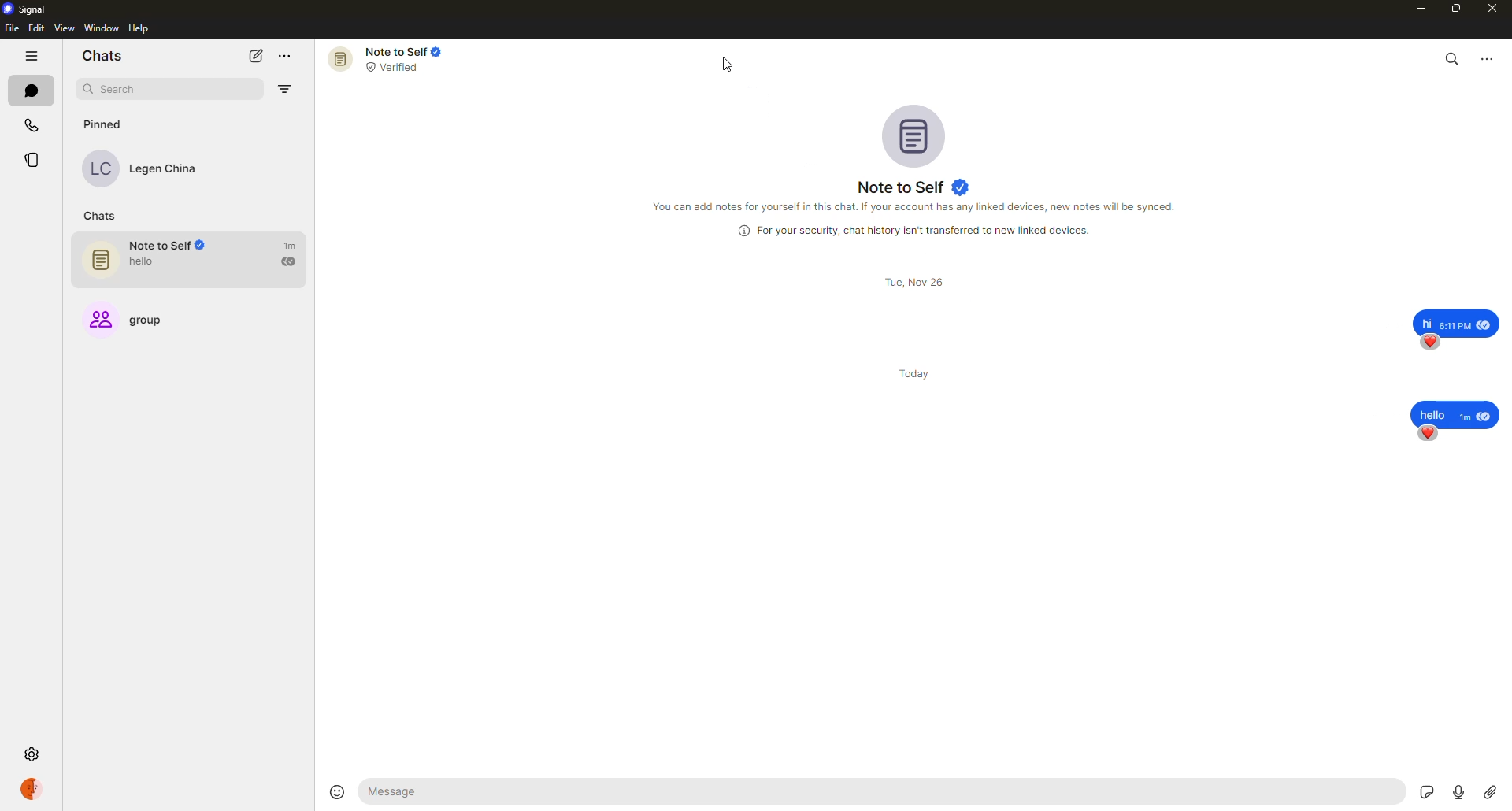  I want to click on close, so click(1494, 10).